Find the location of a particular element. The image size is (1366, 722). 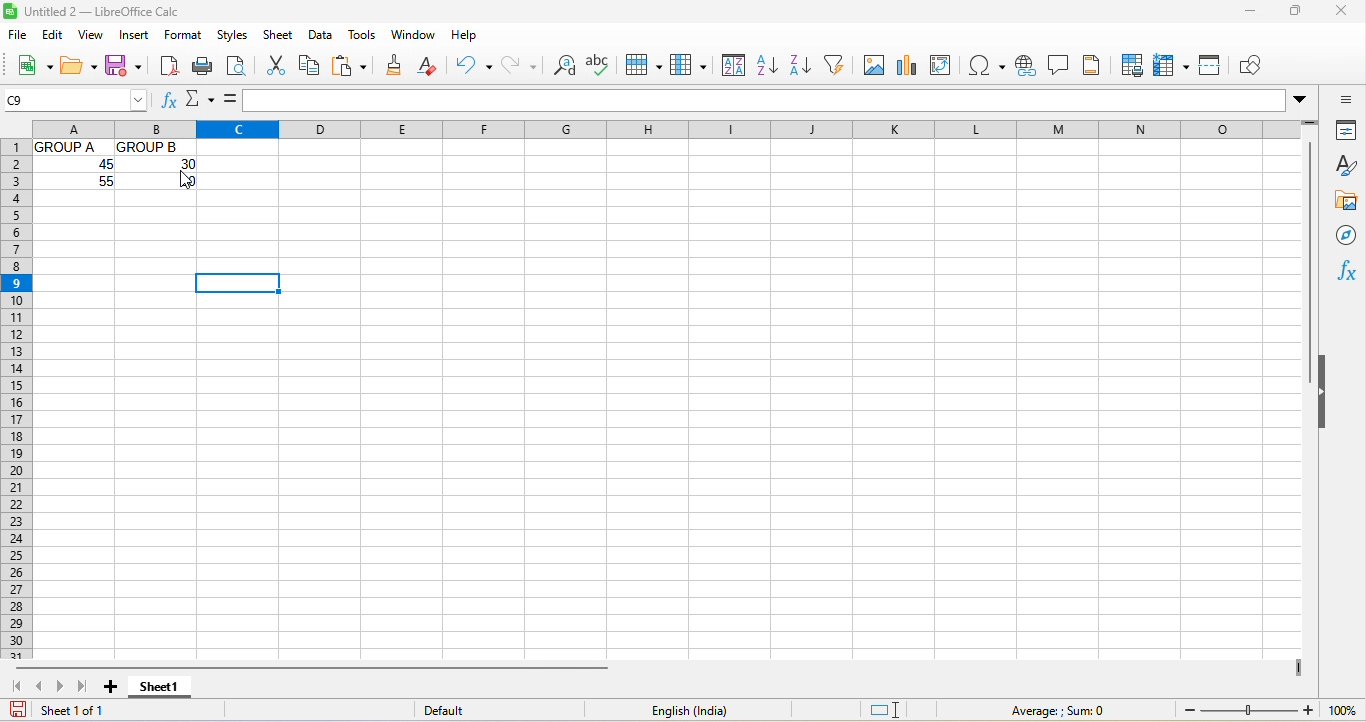

chart is located at coordinates (907, 65).